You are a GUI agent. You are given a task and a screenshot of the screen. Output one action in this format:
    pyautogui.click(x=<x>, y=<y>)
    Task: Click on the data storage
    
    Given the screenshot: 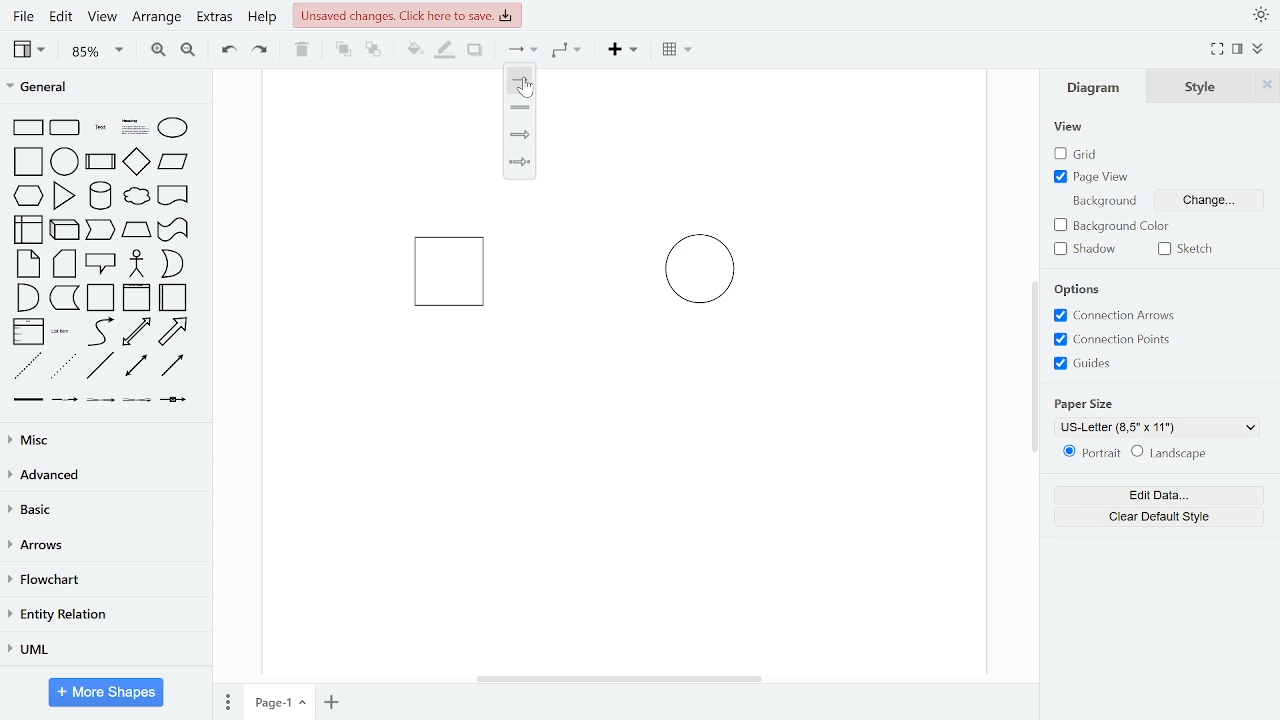 What is the action you would take?
    pyautogui.click(x=65, y=297)
    